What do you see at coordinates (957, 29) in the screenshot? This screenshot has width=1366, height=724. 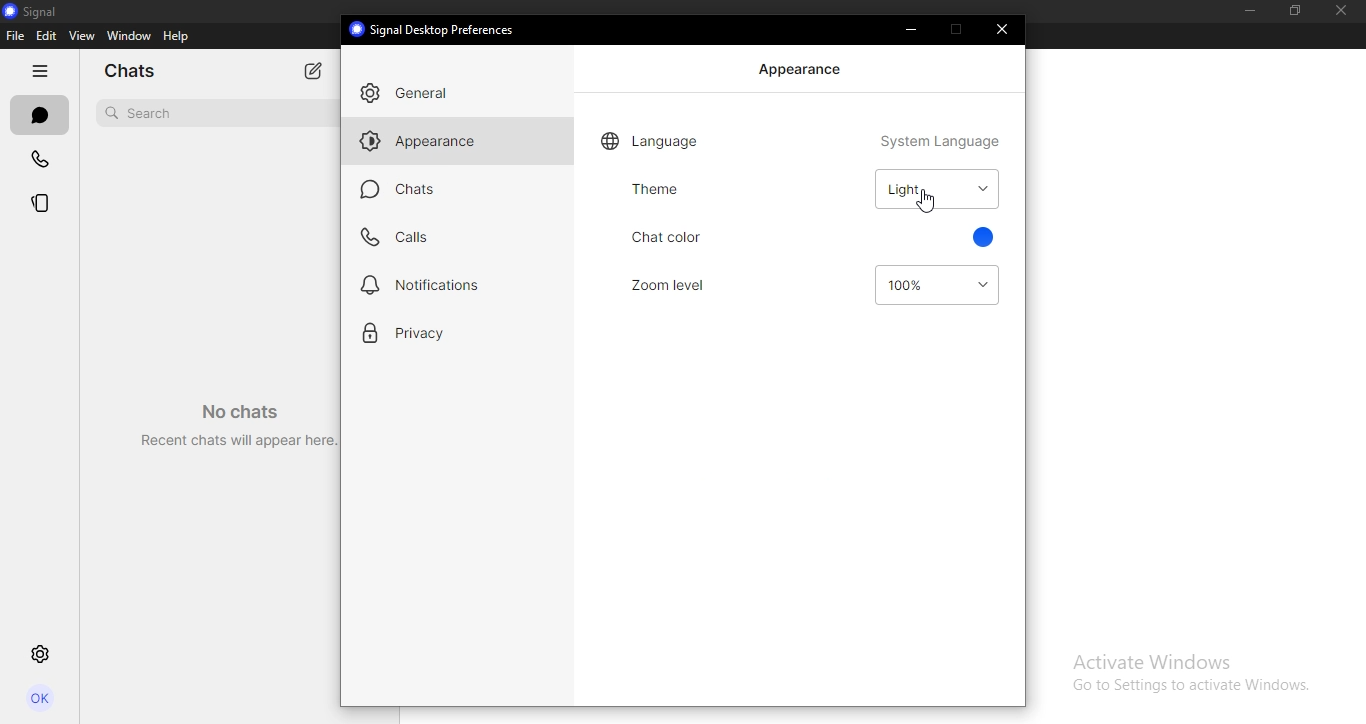 I see `restore down` at bounding box center [957, 29].